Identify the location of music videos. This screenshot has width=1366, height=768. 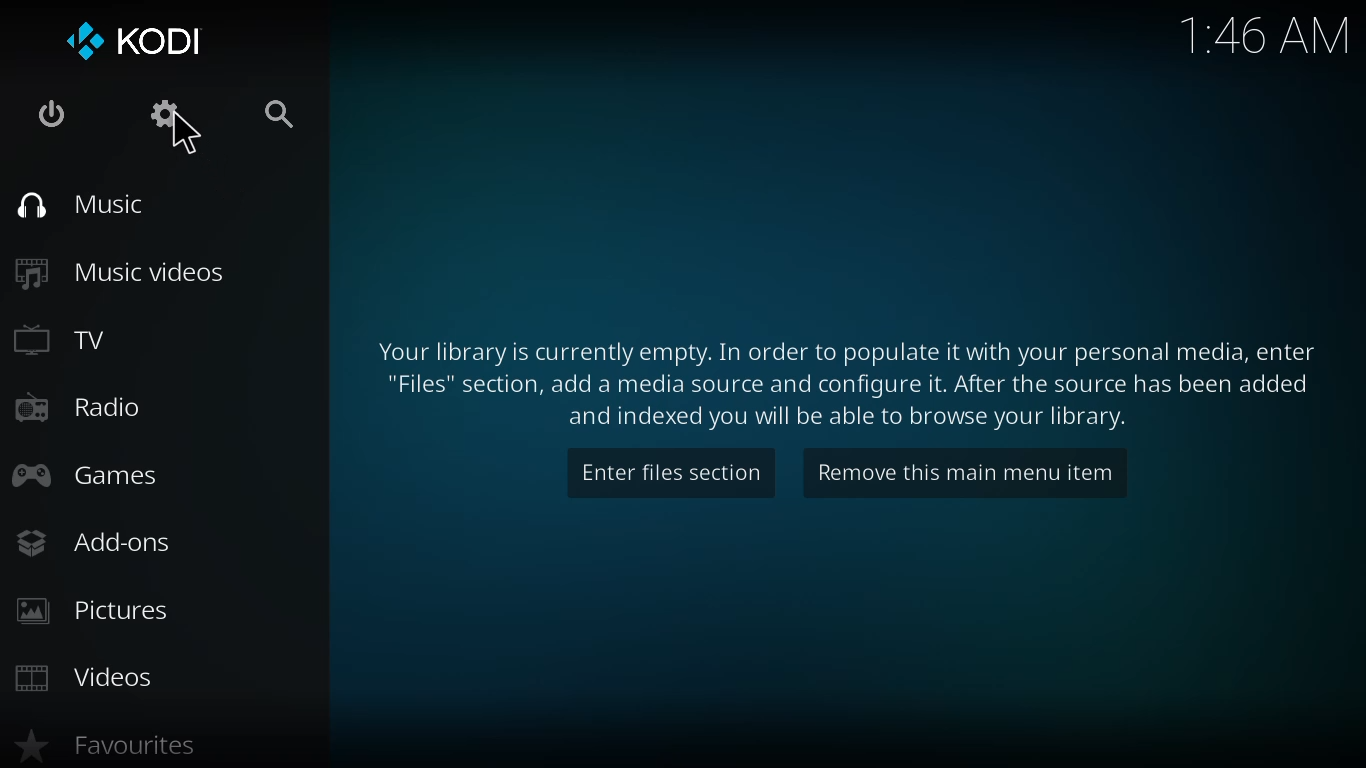
(124, 271).